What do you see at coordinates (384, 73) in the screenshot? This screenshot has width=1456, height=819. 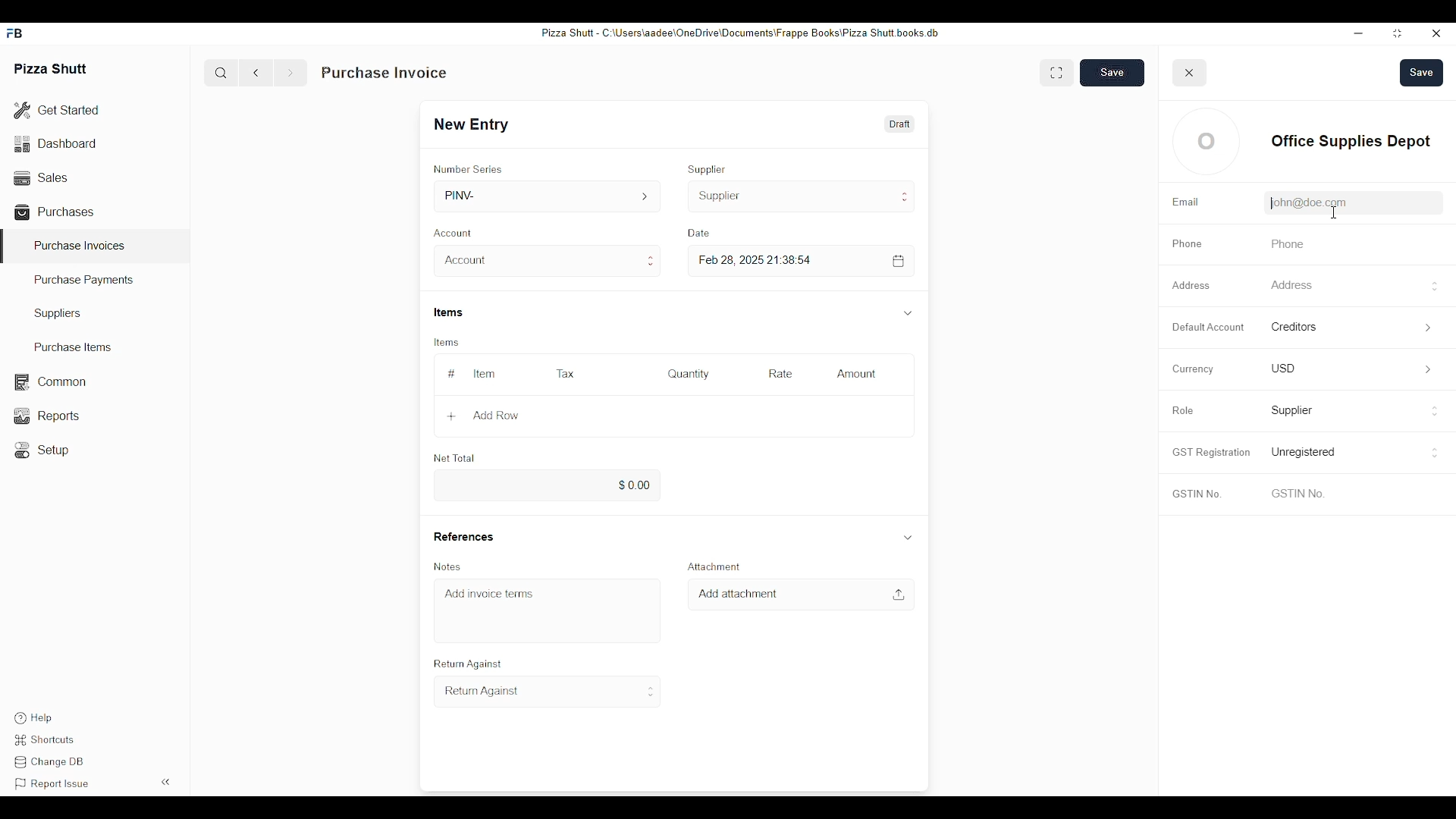 I see `Purchase Invoice` at bounding box center [384, 73].